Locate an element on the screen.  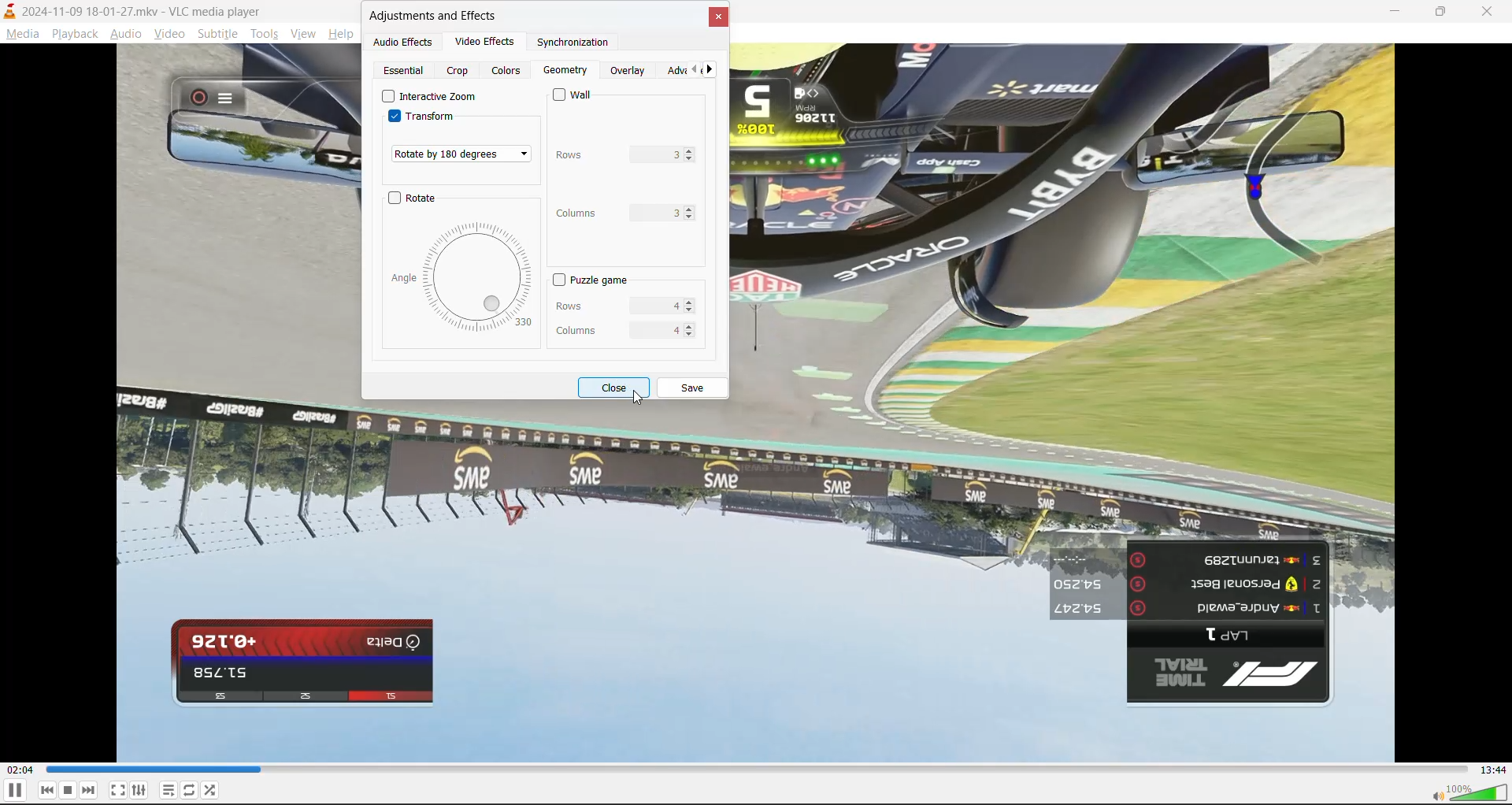
track and app name is located at coordinates (134, 9).